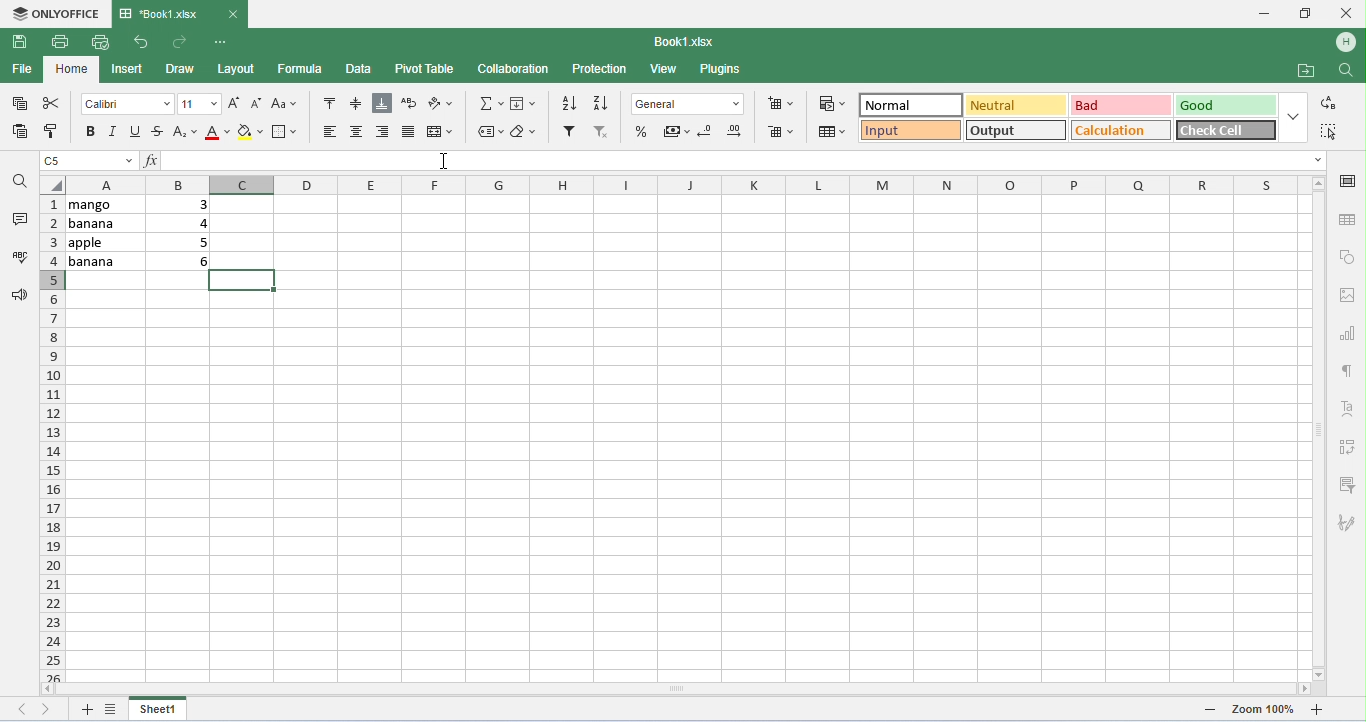 The width and height of the screenshot is (1366, 722). What do you see at coordinates (524, 132) in the screenshot?
I see `clear` at bounding box center [524, 132].